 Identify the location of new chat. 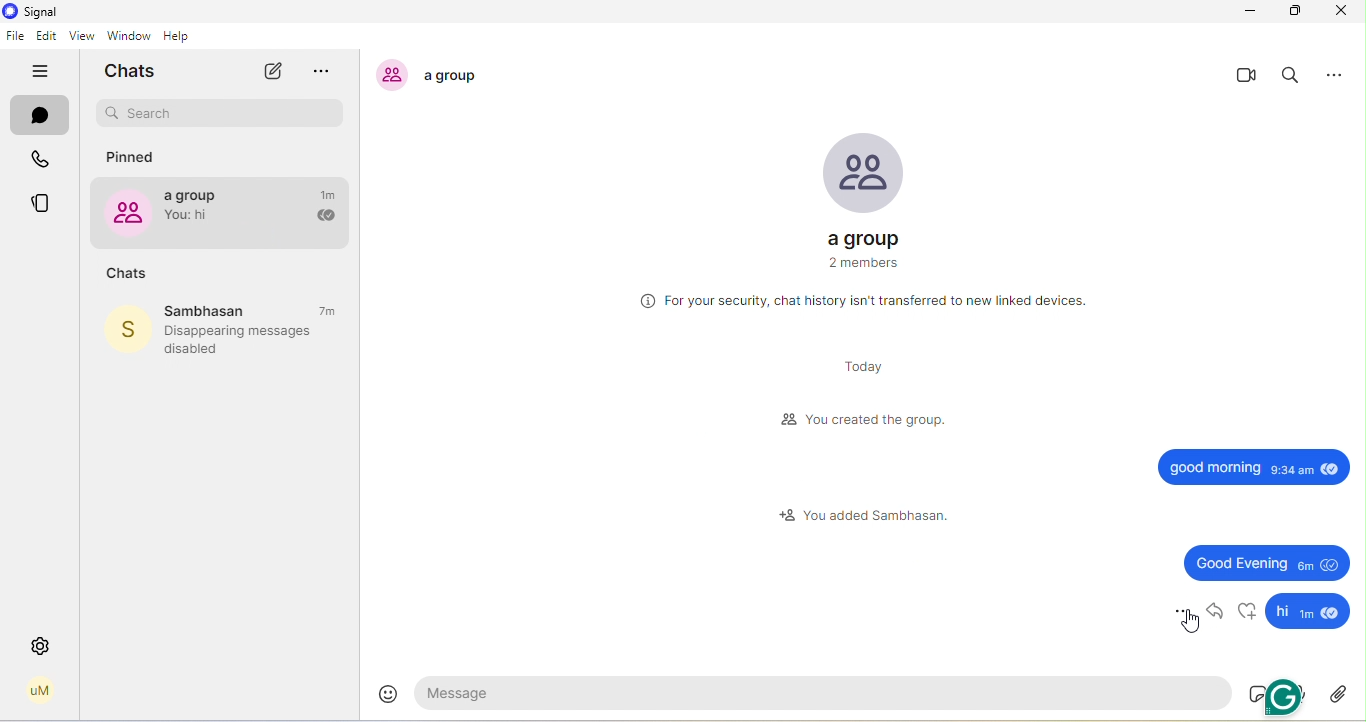
(271, 71).